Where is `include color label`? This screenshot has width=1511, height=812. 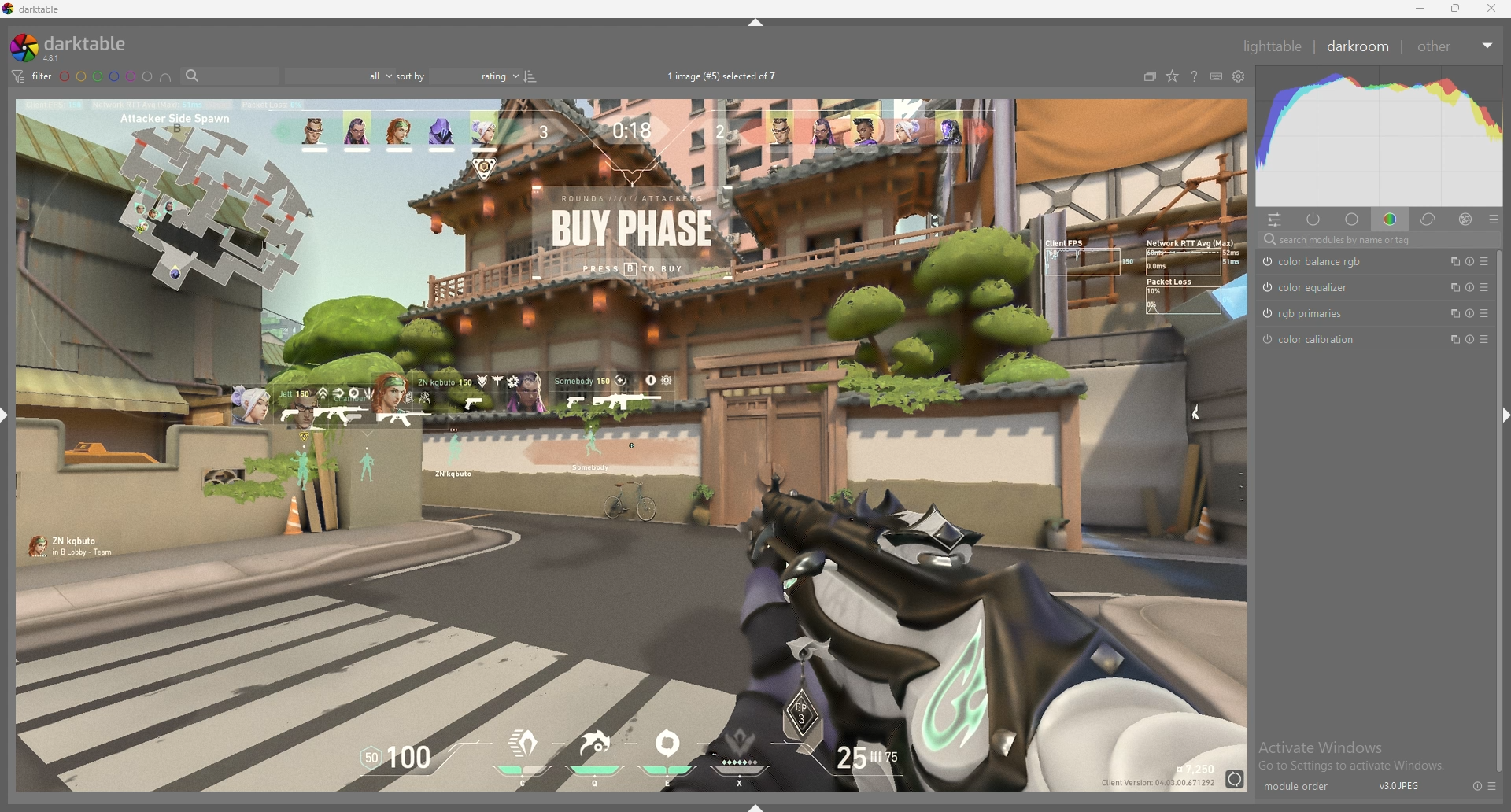
include color label is located at coordinates (165, 77).